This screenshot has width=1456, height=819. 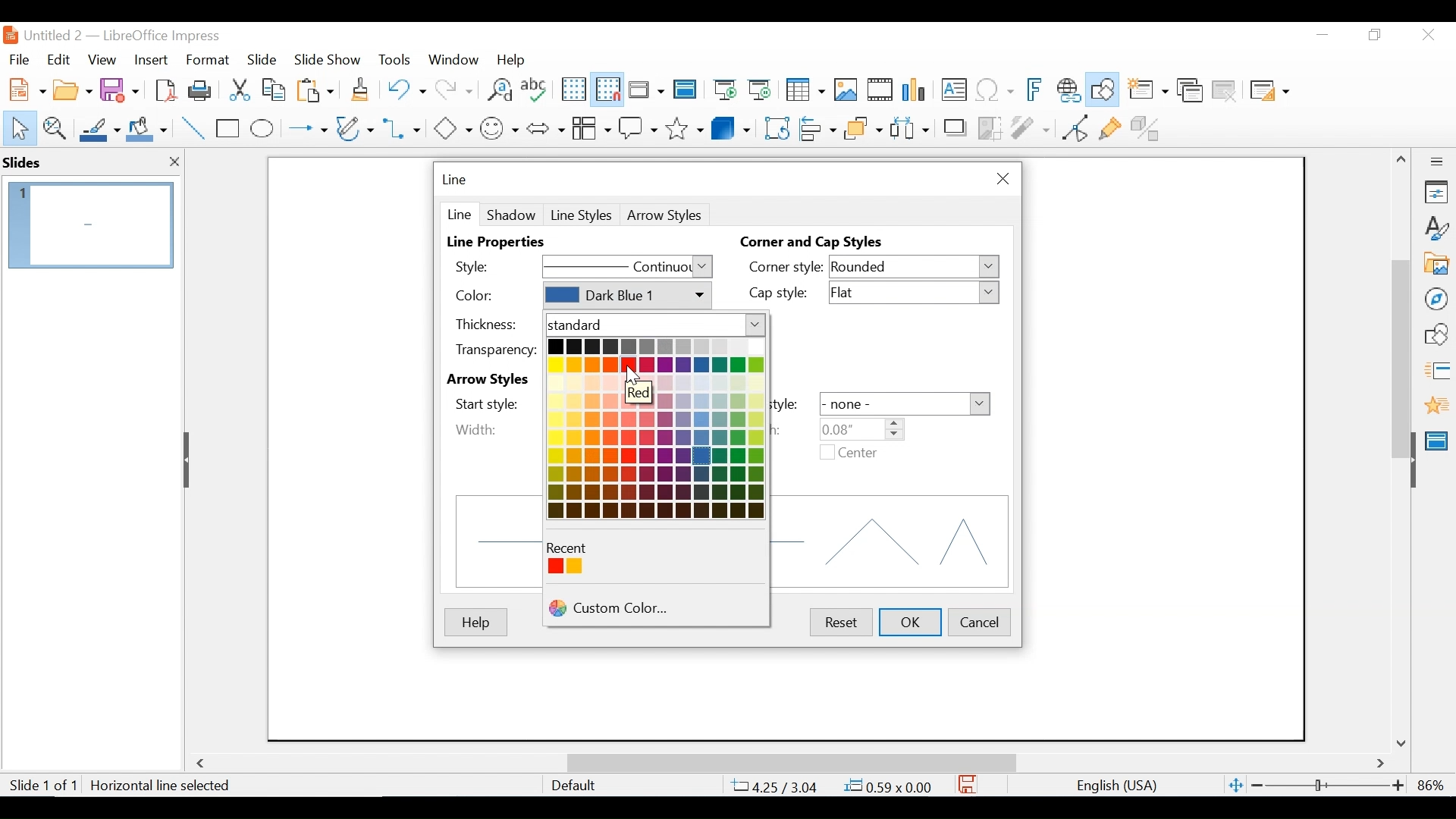 What do you see at coordinates (607, 89) in the screenshot?
I see `Snap as Grid` at bounding box center [607, 89].